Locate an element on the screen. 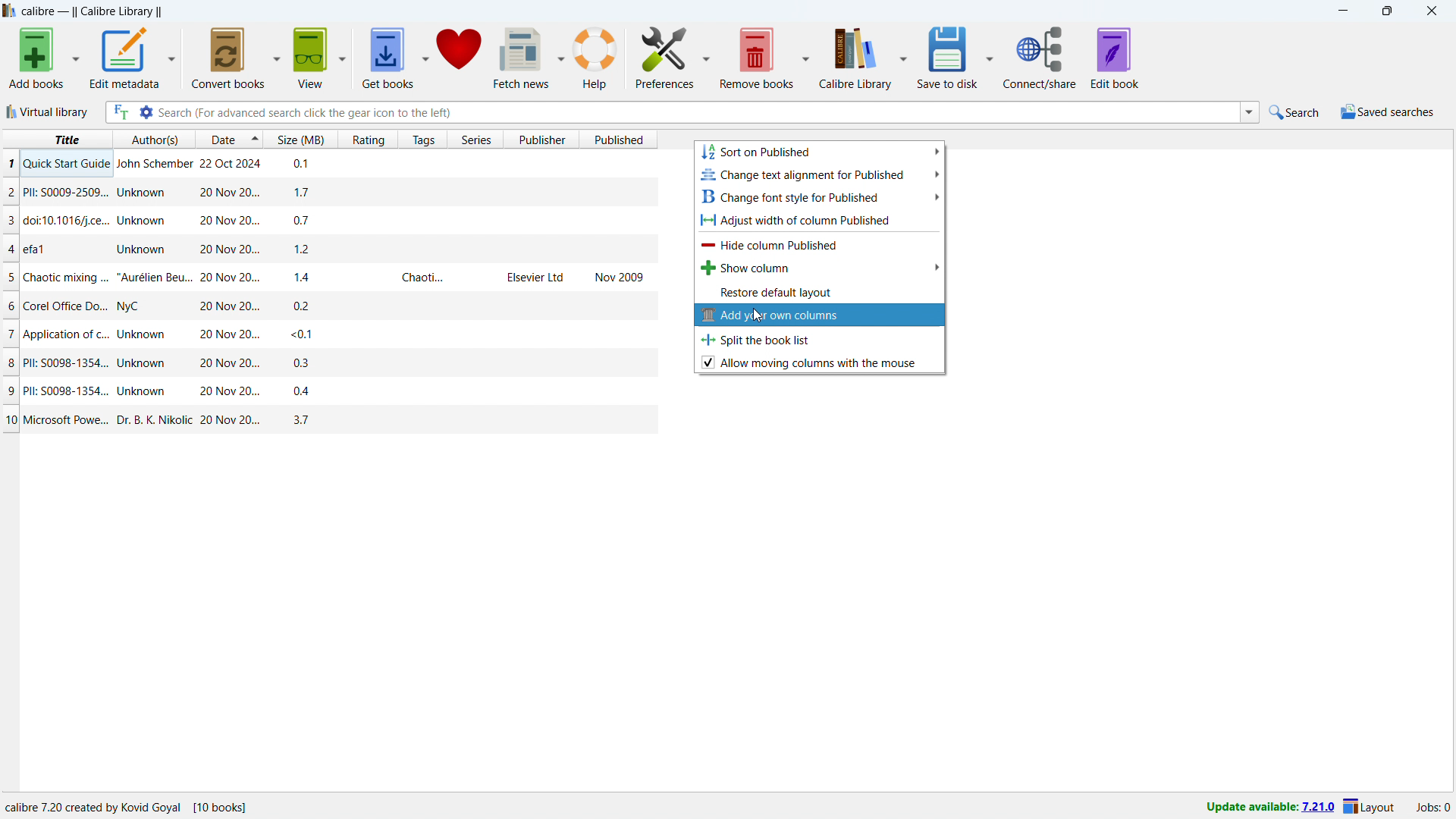 This screenshot has width=1456, height=819. advanced search is located at coordinates (146, 112).